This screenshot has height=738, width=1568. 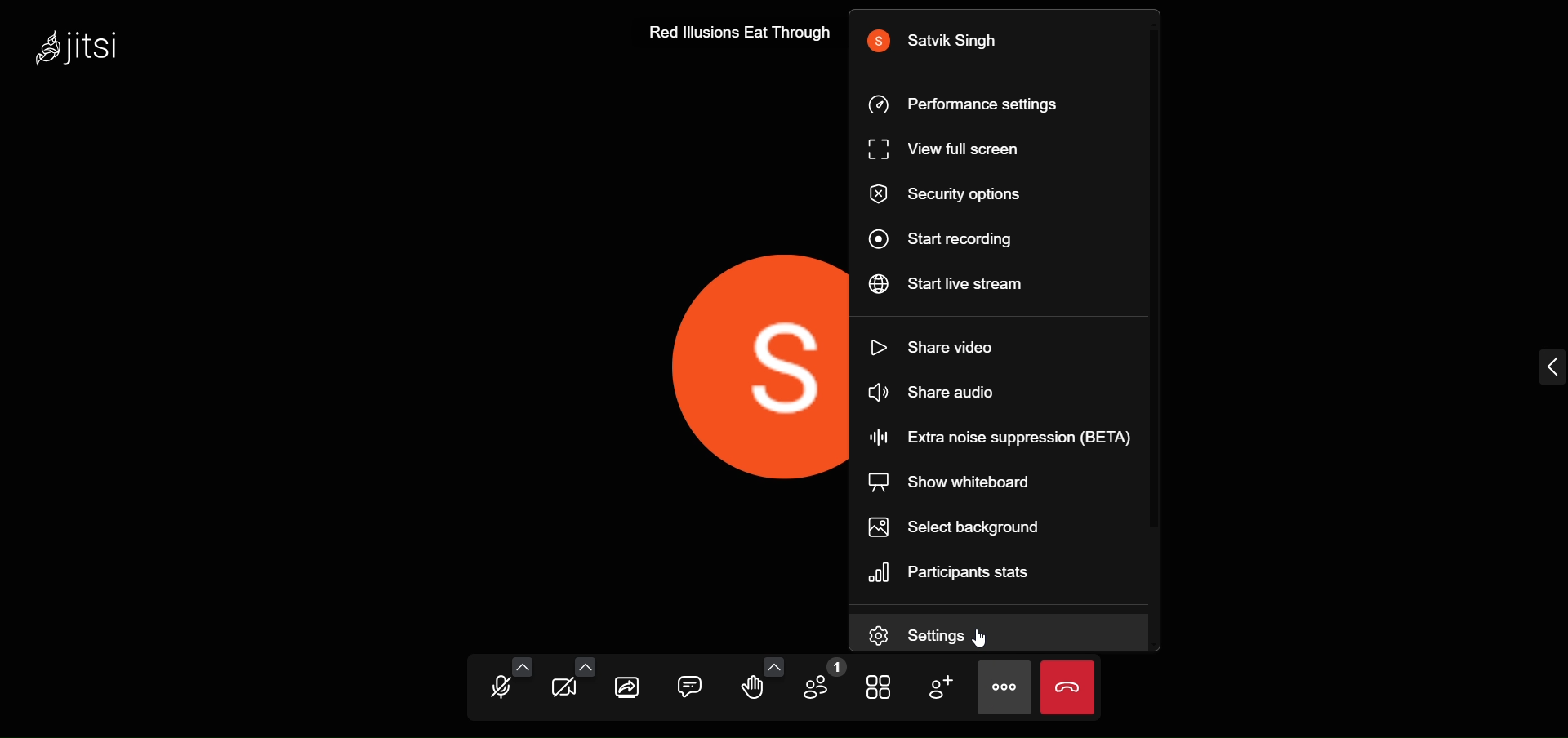 What do you see at coordinates (939, 42) in the screenshot?
I see `satvik singh` at bounding box center [939, 42].